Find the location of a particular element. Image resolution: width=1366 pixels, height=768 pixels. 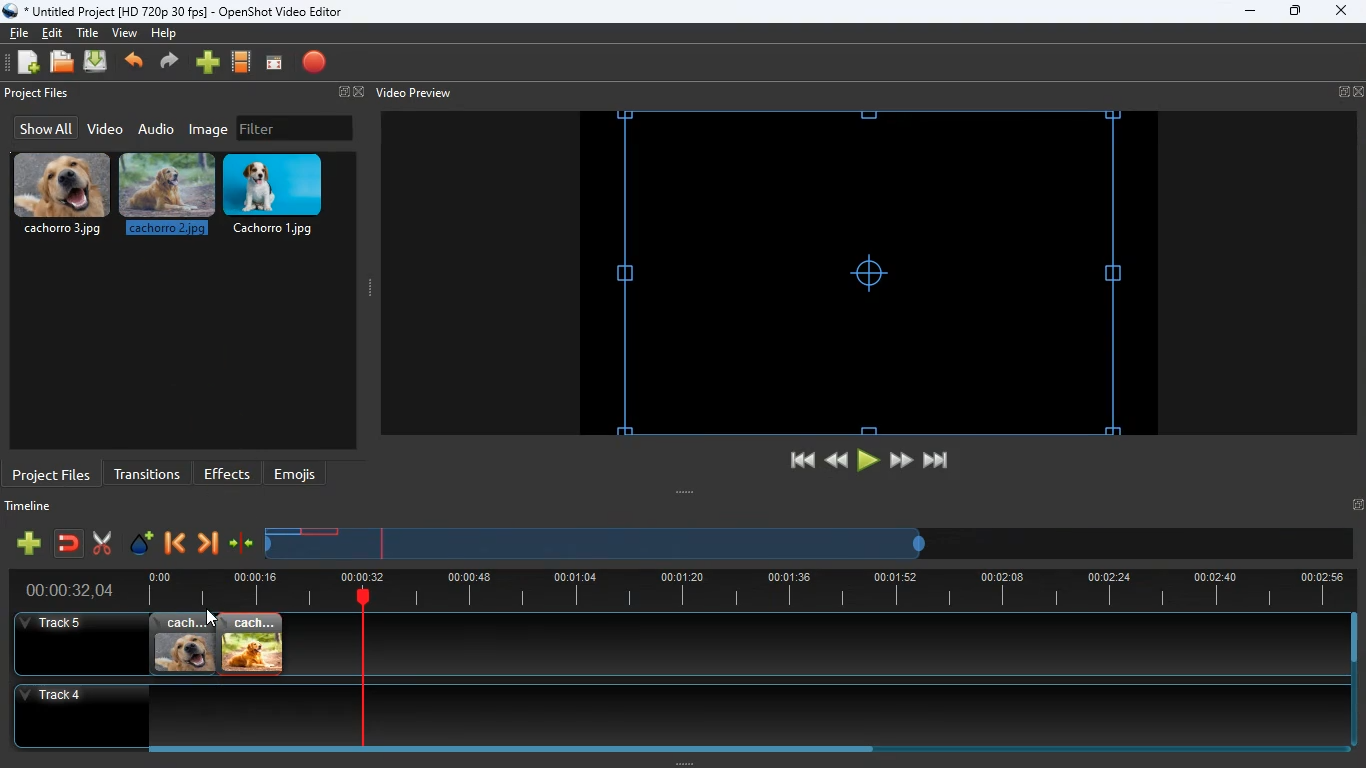

edit is located at coordinates (55, 33).